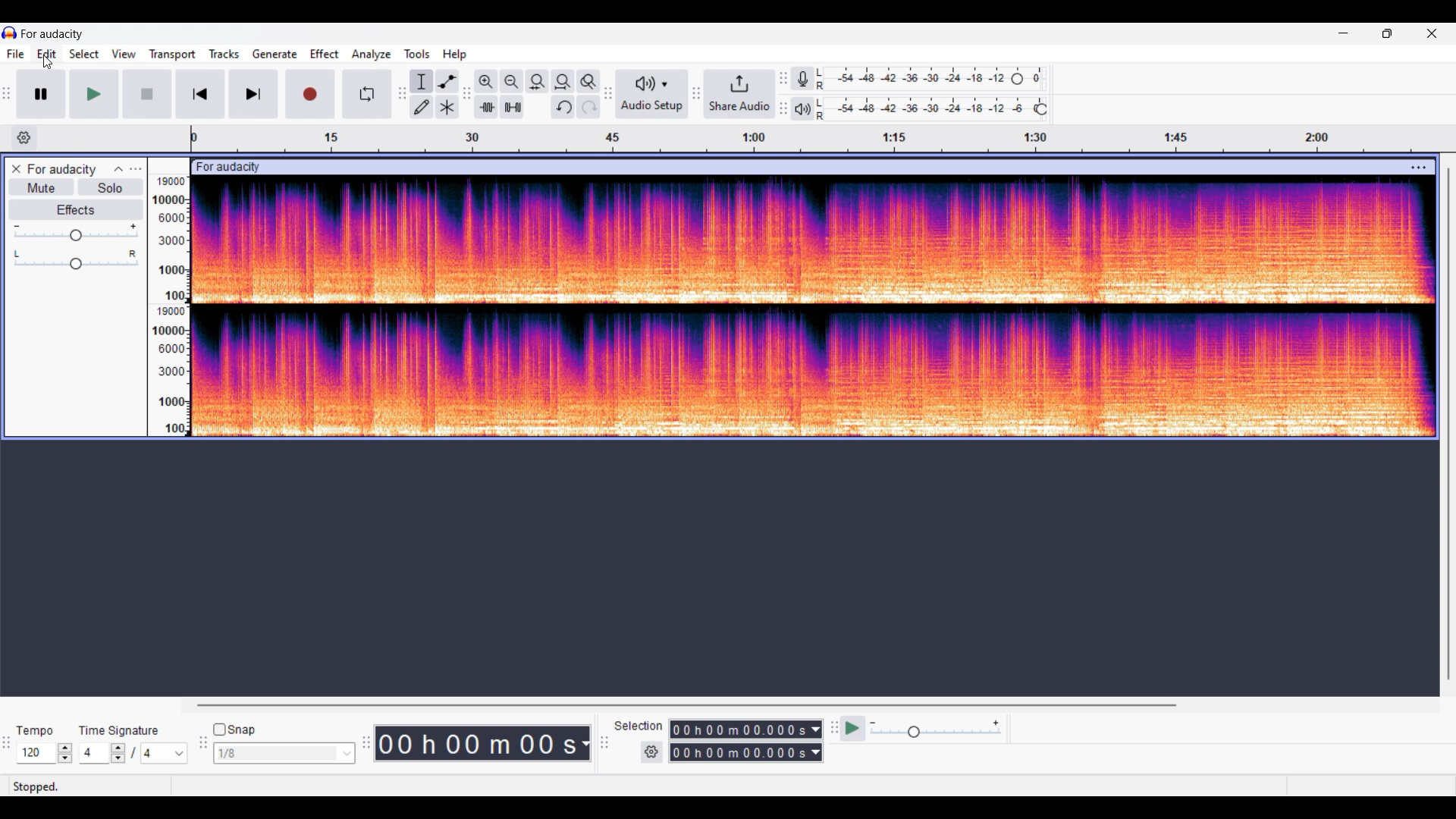  Describe the element at coordinates (563, 82) in the screenshot. I see `Fit projection to width` at that location.